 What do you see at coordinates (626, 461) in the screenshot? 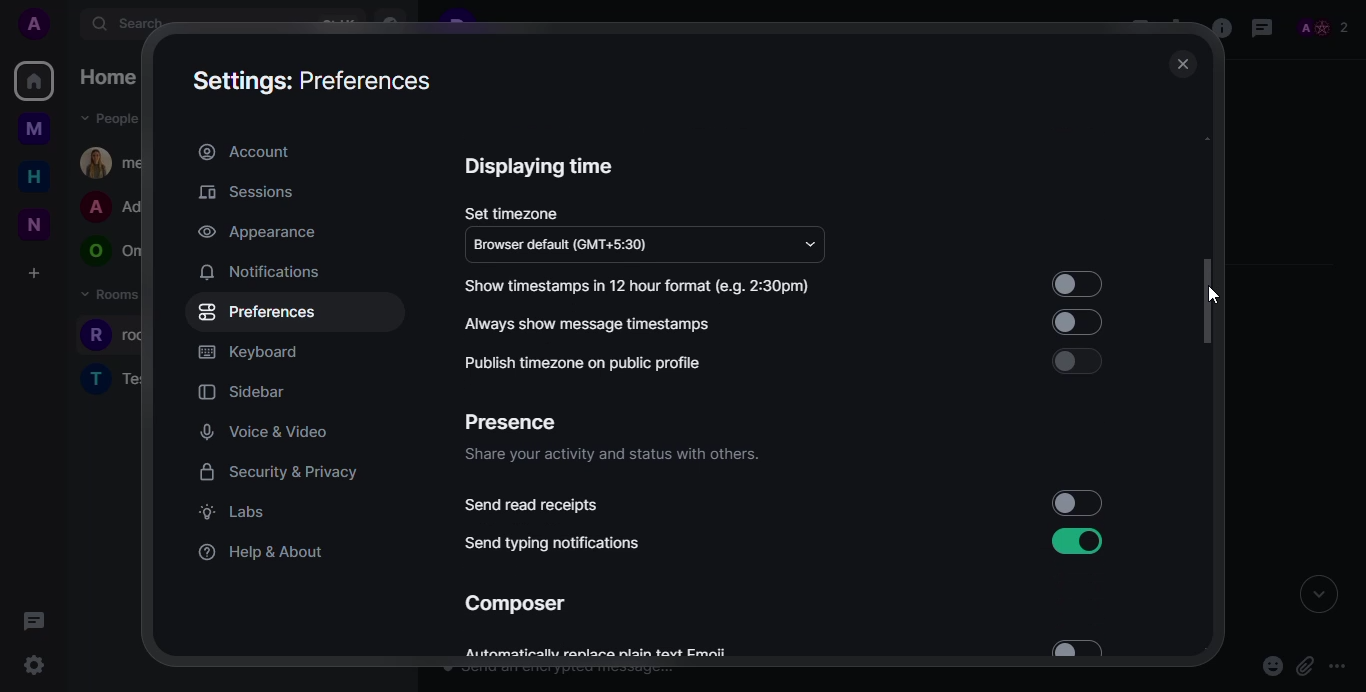
I see `Share your activity and status with others.` at bounding box center [626, 461].